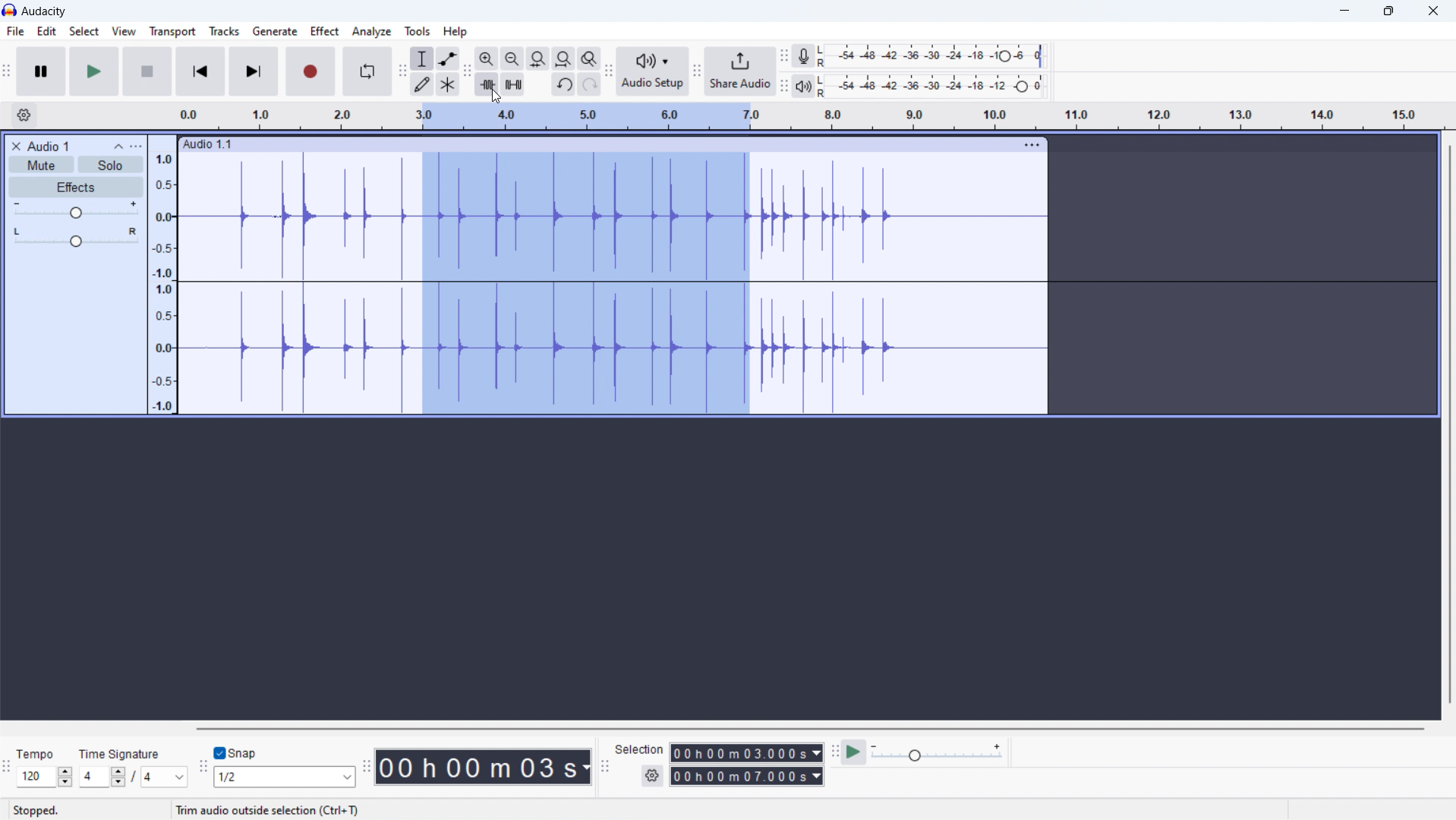 The image size is (1456, 820). I want to click on recording meter, so click(808, 55).